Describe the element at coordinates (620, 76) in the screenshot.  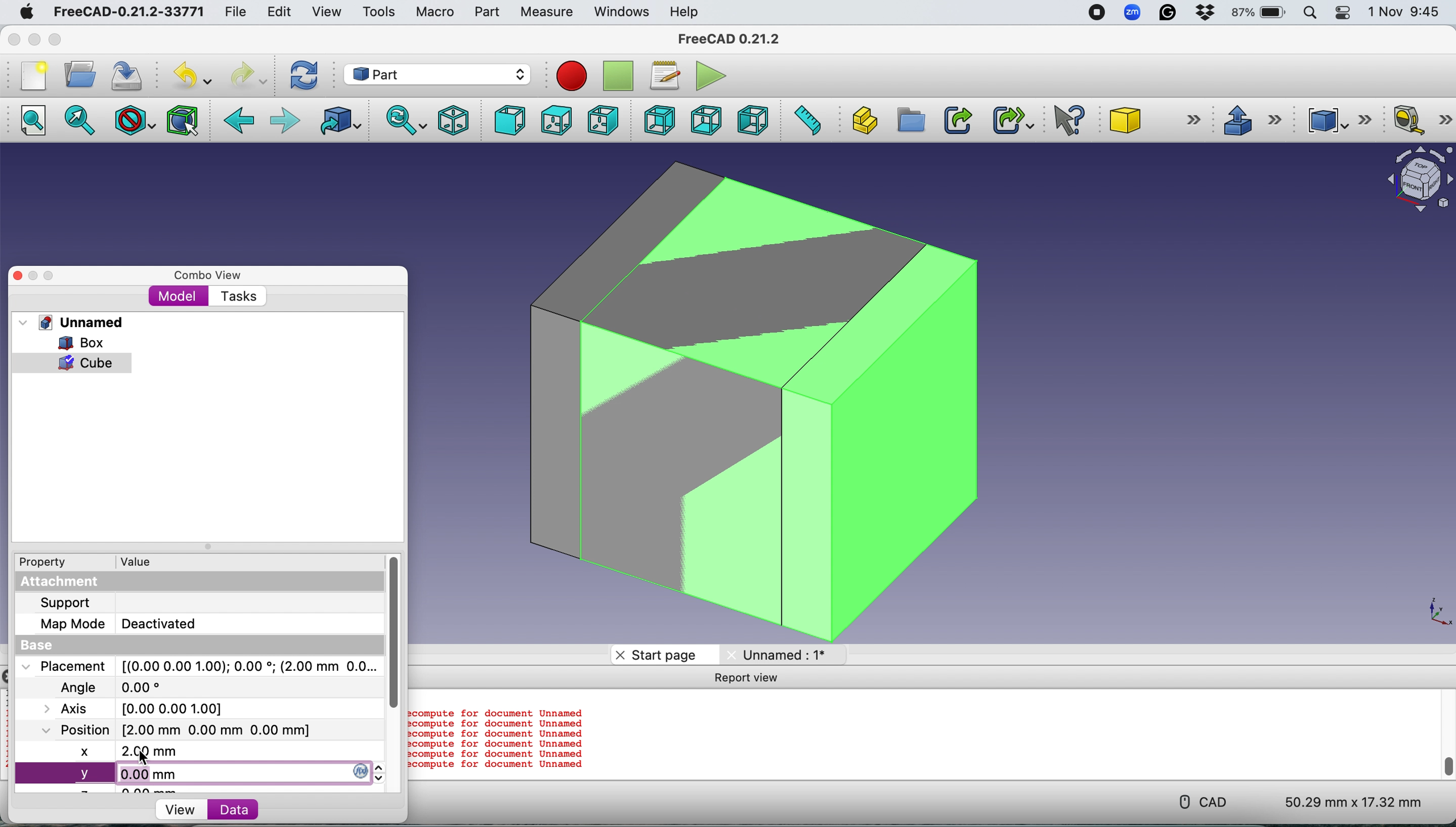
I see `Stop recording macros` at that location.